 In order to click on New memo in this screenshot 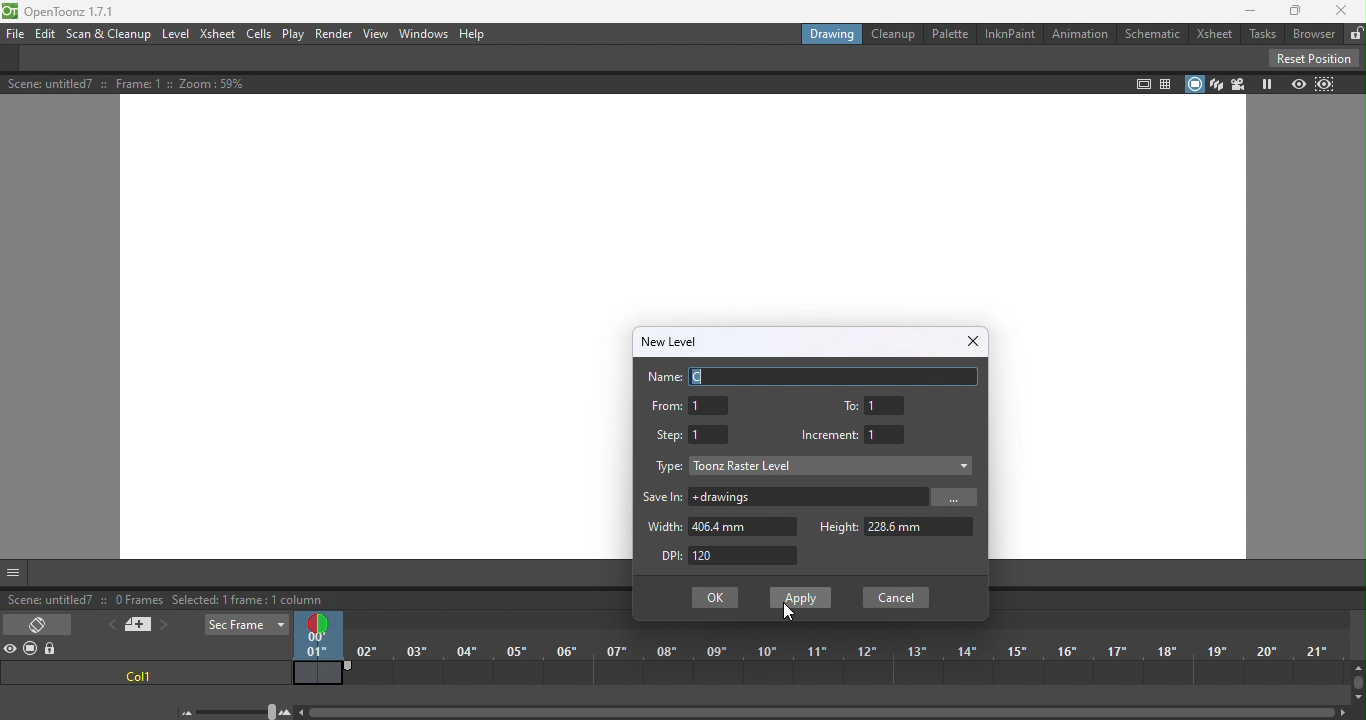, I will do `click(137, 627)`.